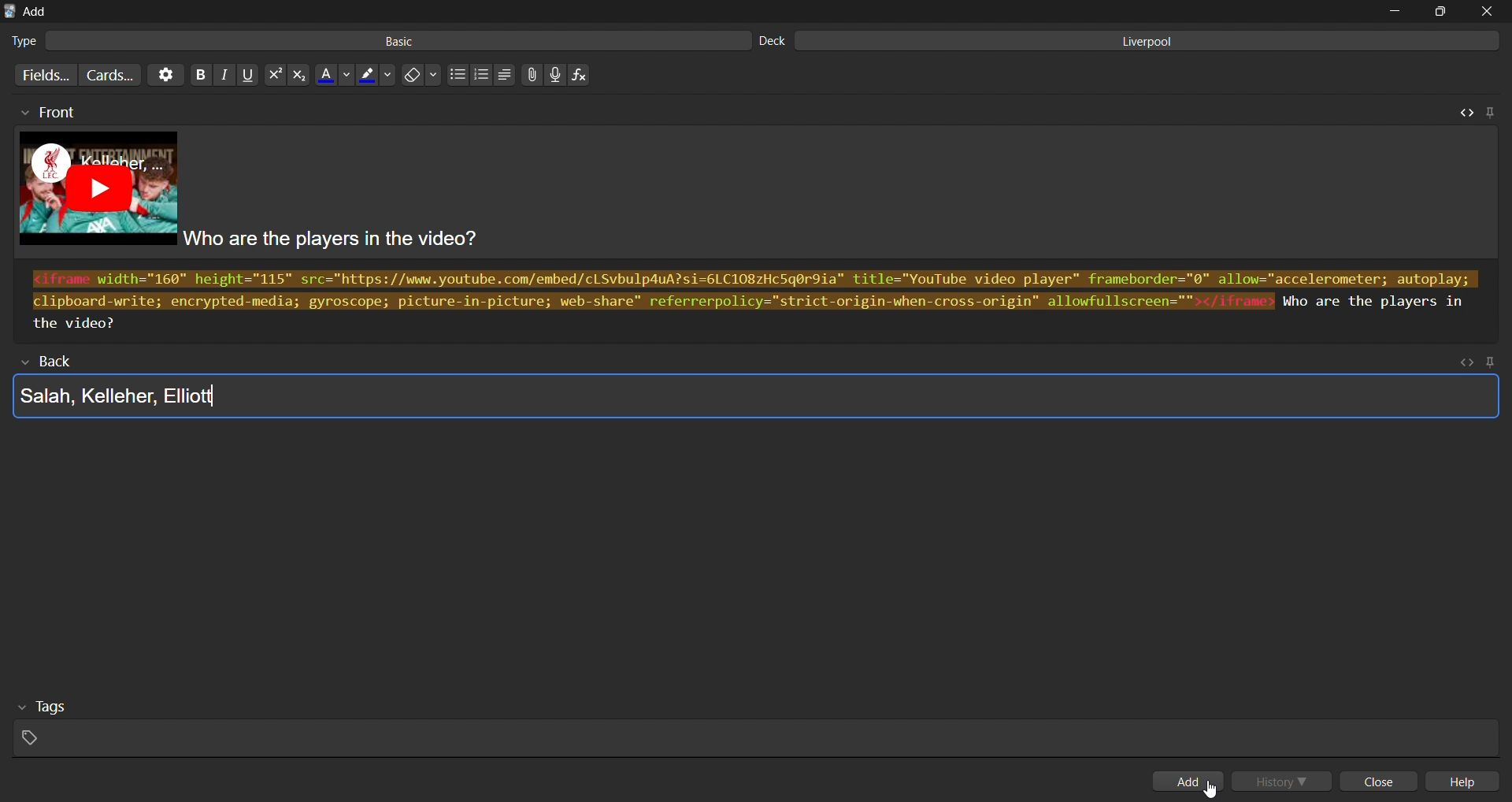 This screenshot has height=802, width=1512. I want to click on underline, so click(249, 75).